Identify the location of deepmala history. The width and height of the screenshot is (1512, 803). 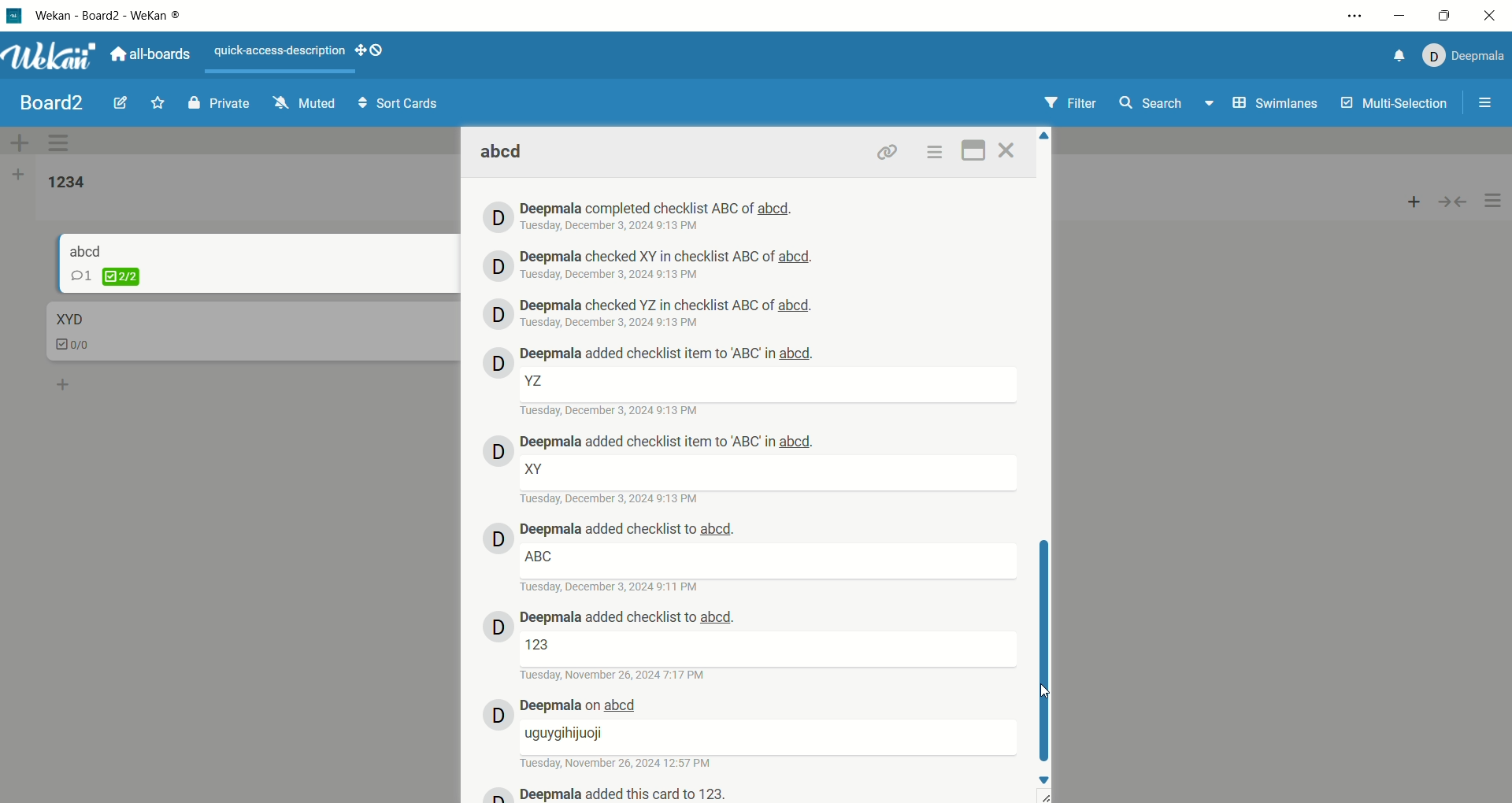
(656, 208).